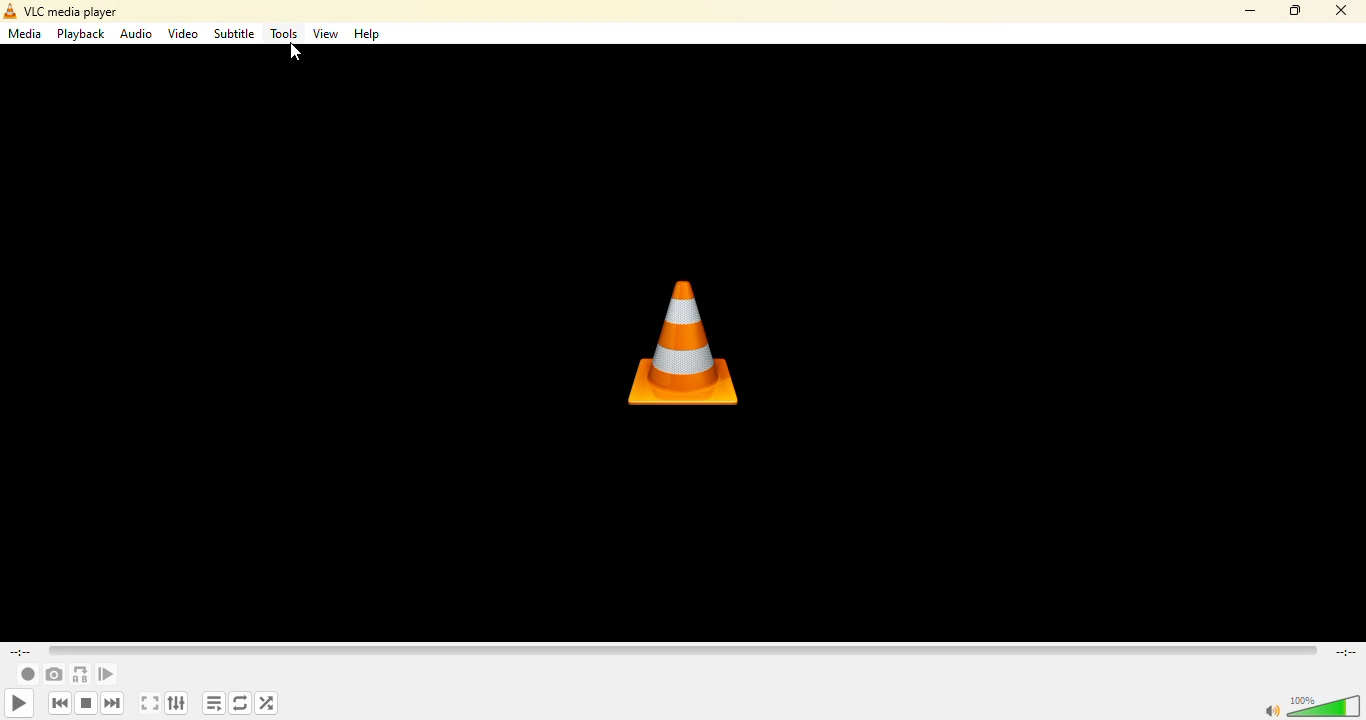 This screenshot has height=720, width=1366. Describe the element at coordinates (106, 673) in the screenshot. I see `frame by frame` at that location.